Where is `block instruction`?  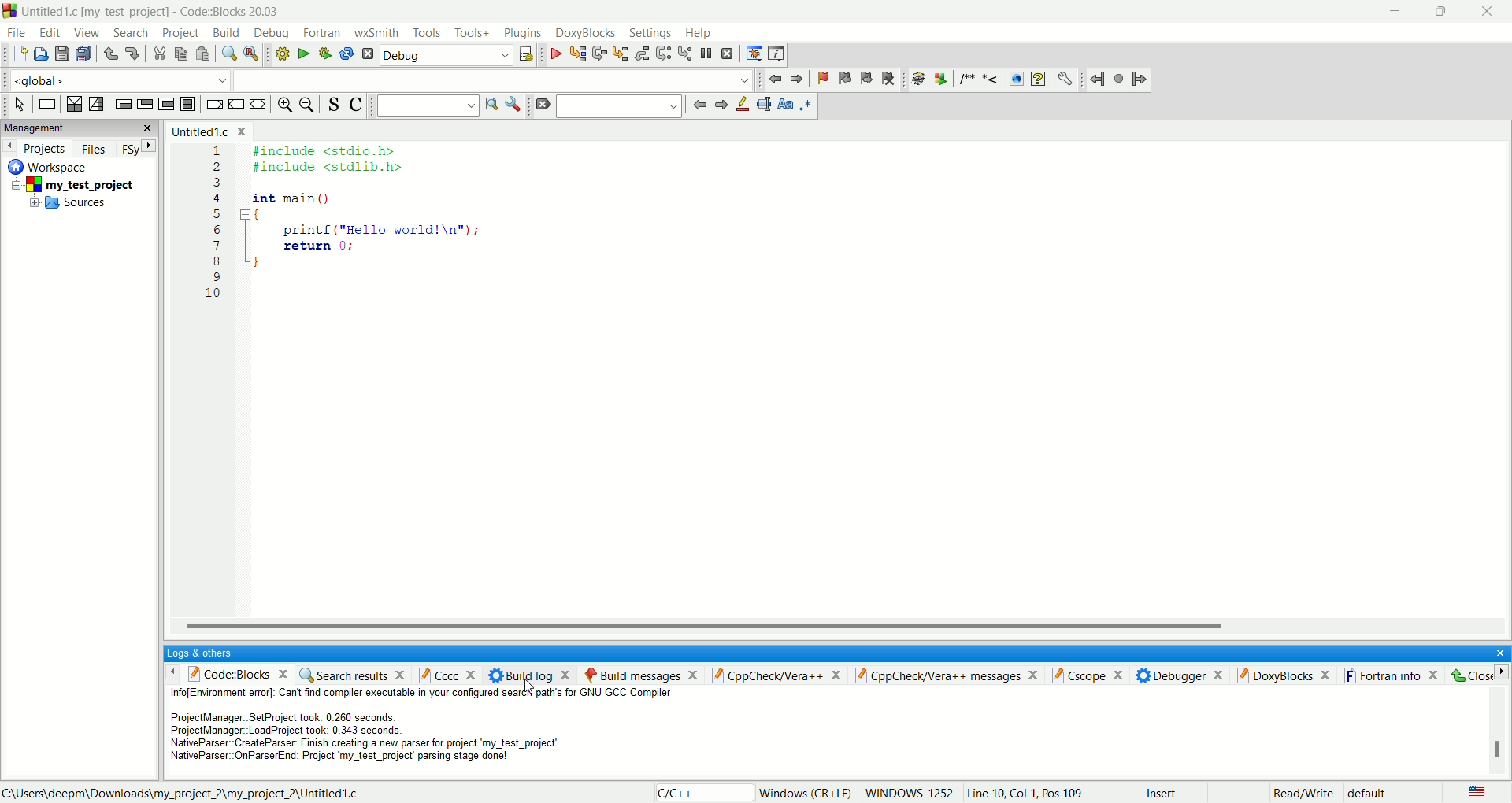 block instruction is located at coordinates (189, 104).